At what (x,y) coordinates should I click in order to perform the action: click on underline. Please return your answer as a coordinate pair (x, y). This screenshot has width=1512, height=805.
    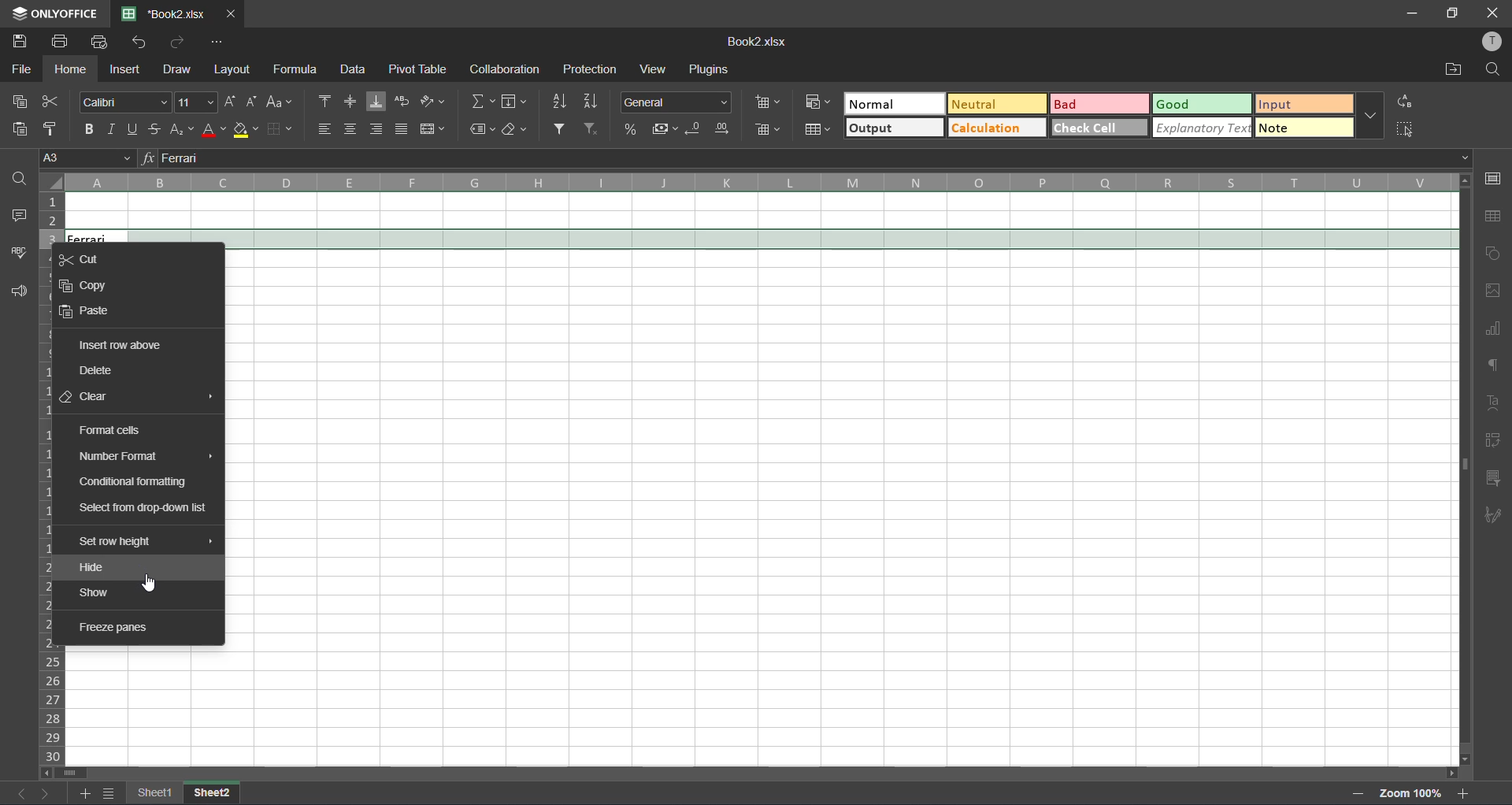
    Looking at the image, I should click on (135, 128).